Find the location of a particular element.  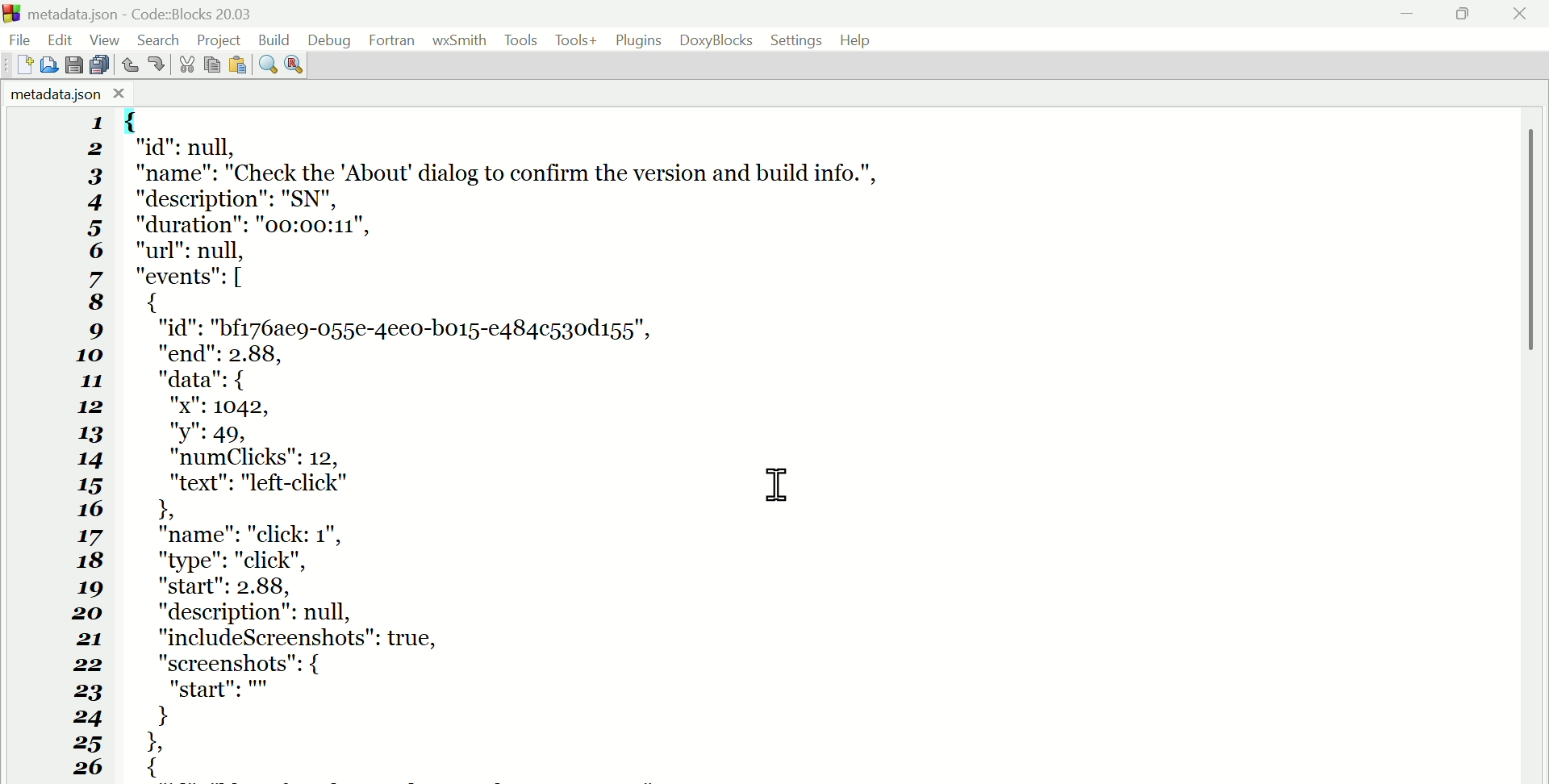

{
"id": null,
"name": "Check the "About dialog to confirm the version and build info.",
"description": "SN",
"duration": "00:00:11",
"url": null,
"events": [
{
"id": "bf176ae9-055e-4ee0-bo15-e484c530d155",
"end": 2.88,
"data": {
"x": 1042,
"y": 49,
"numClicks": 12,
"text": "left-click" I
1
"name": "click: 1",
"type": "click",
"start": 2.88,
"description": null,
"includeScreenshots": true,
"screenshots": {
"start":
}
1
{ is located at coordinates (546, 444).